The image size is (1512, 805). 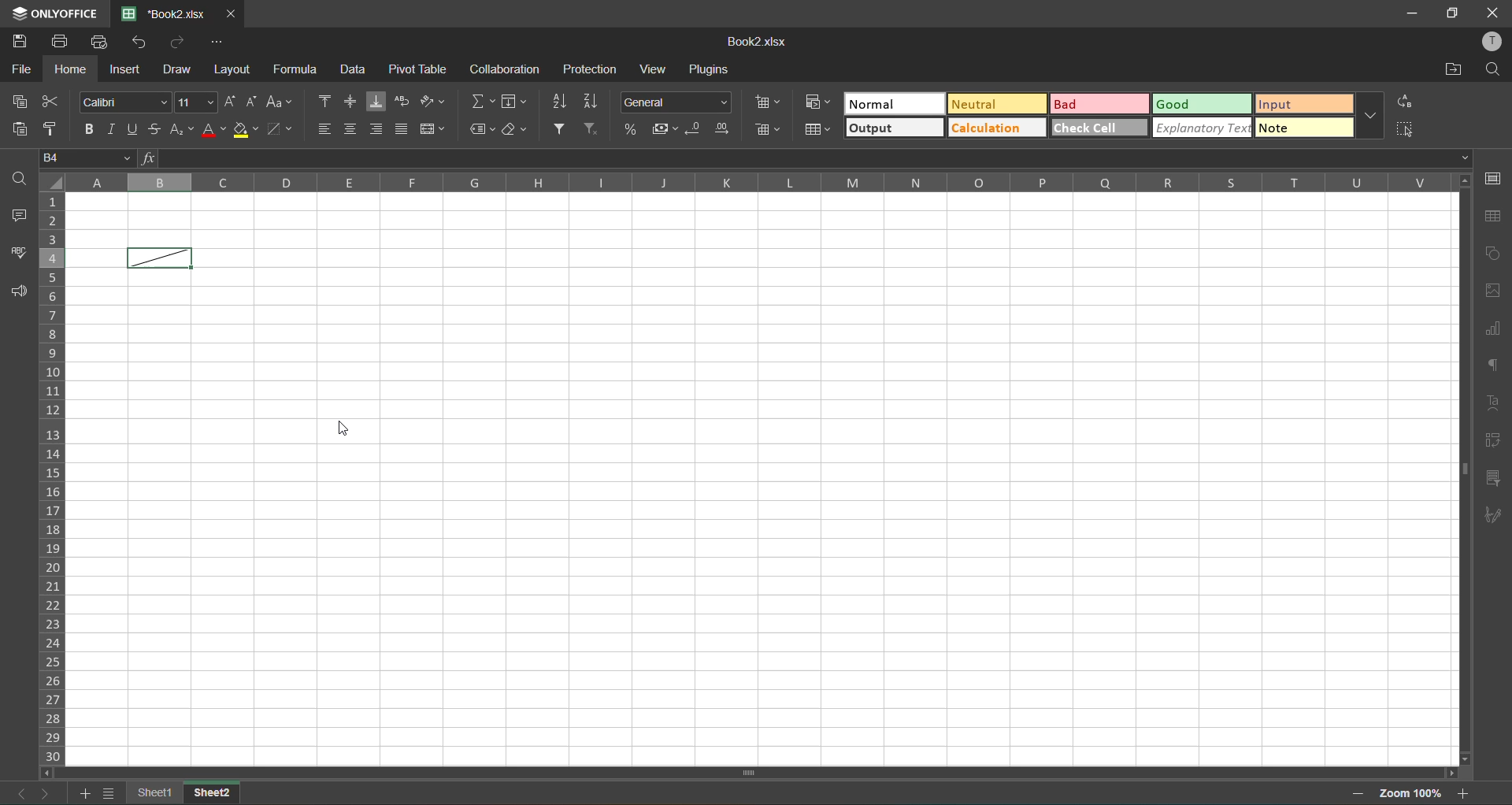 What do you see at coordinates (1102, 128) in the screenshot?
I see `check cell` at bounding box center [1102, 128].